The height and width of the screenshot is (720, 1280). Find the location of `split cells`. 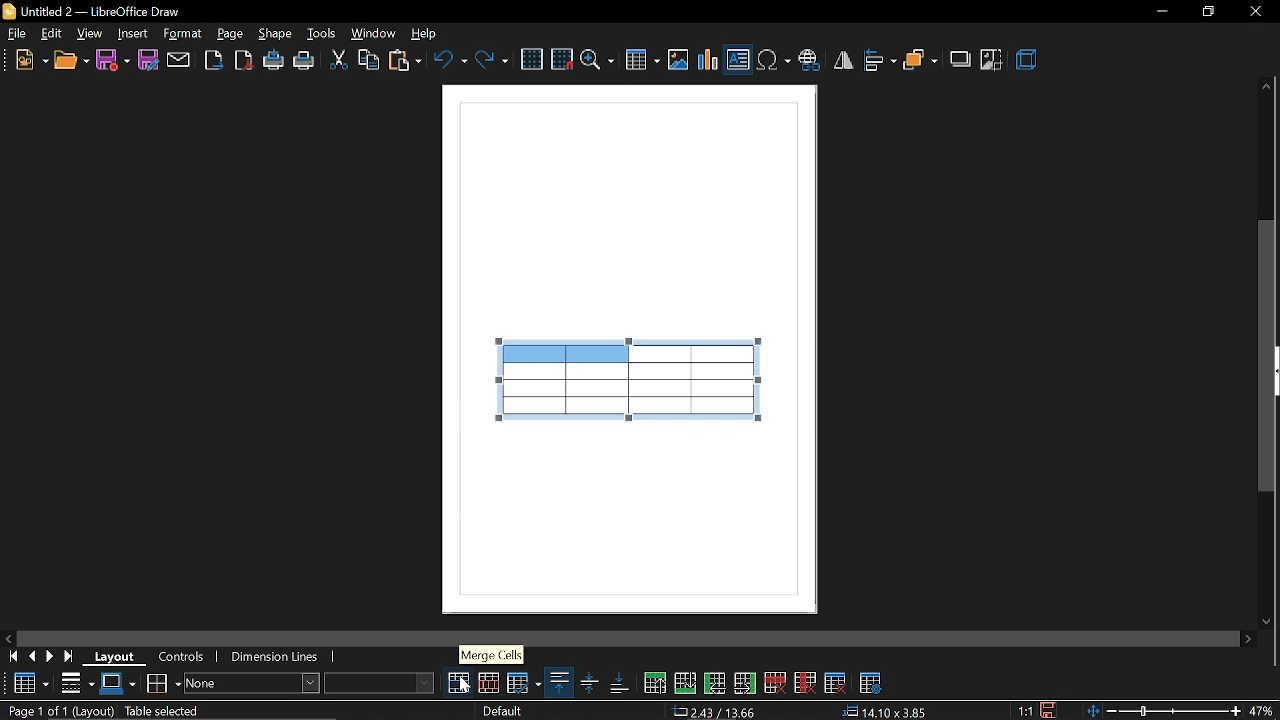

split cells is located at coordinates (490, 683).